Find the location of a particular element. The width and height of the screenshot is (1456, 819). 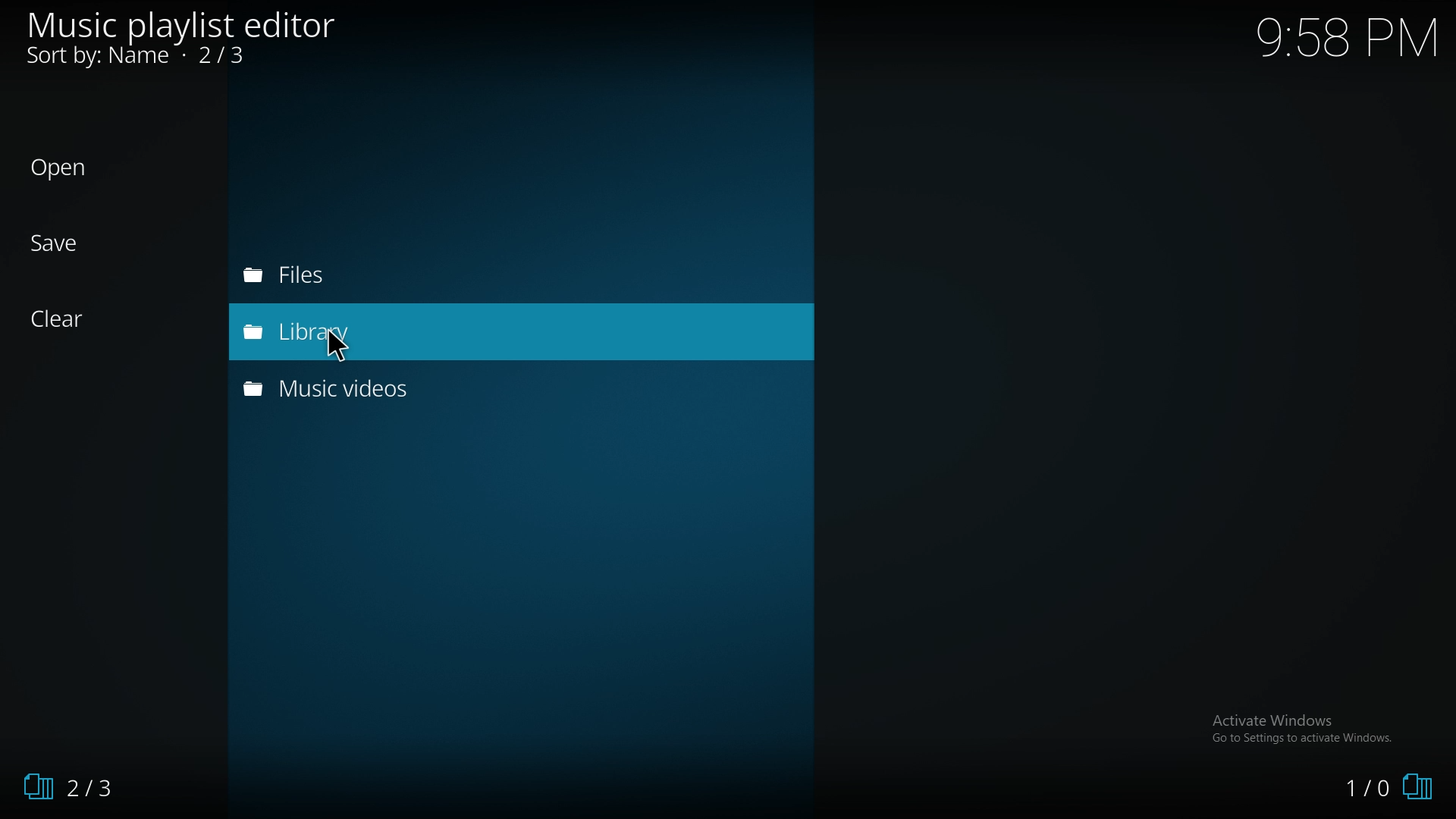

file count is located at coordinates (102, 790).